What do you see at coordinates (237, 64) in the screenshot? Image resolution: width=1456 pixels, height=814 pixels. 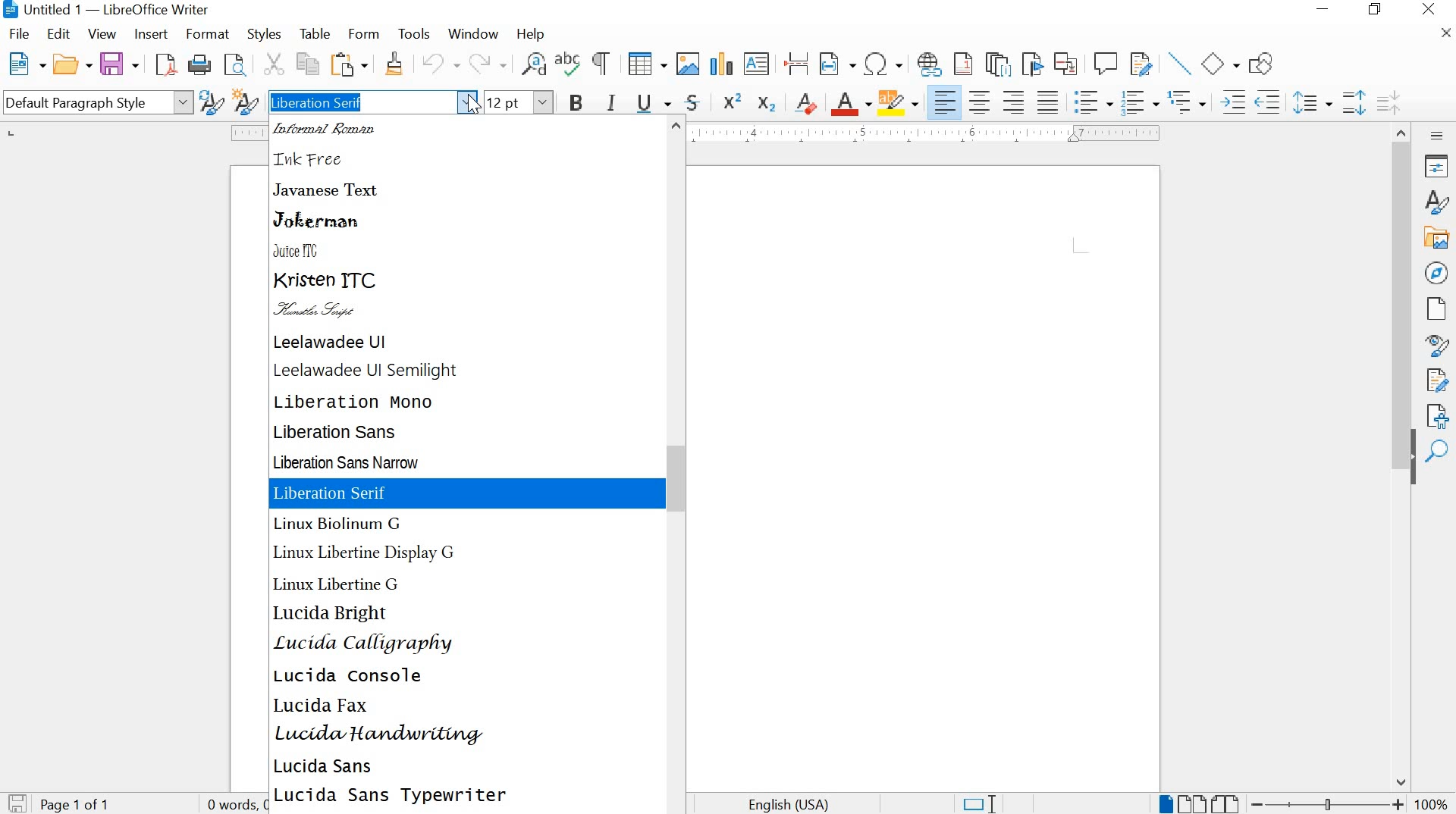 I see `TOGGLE PRINT PREVIEW` at bounding box center [237, 64].